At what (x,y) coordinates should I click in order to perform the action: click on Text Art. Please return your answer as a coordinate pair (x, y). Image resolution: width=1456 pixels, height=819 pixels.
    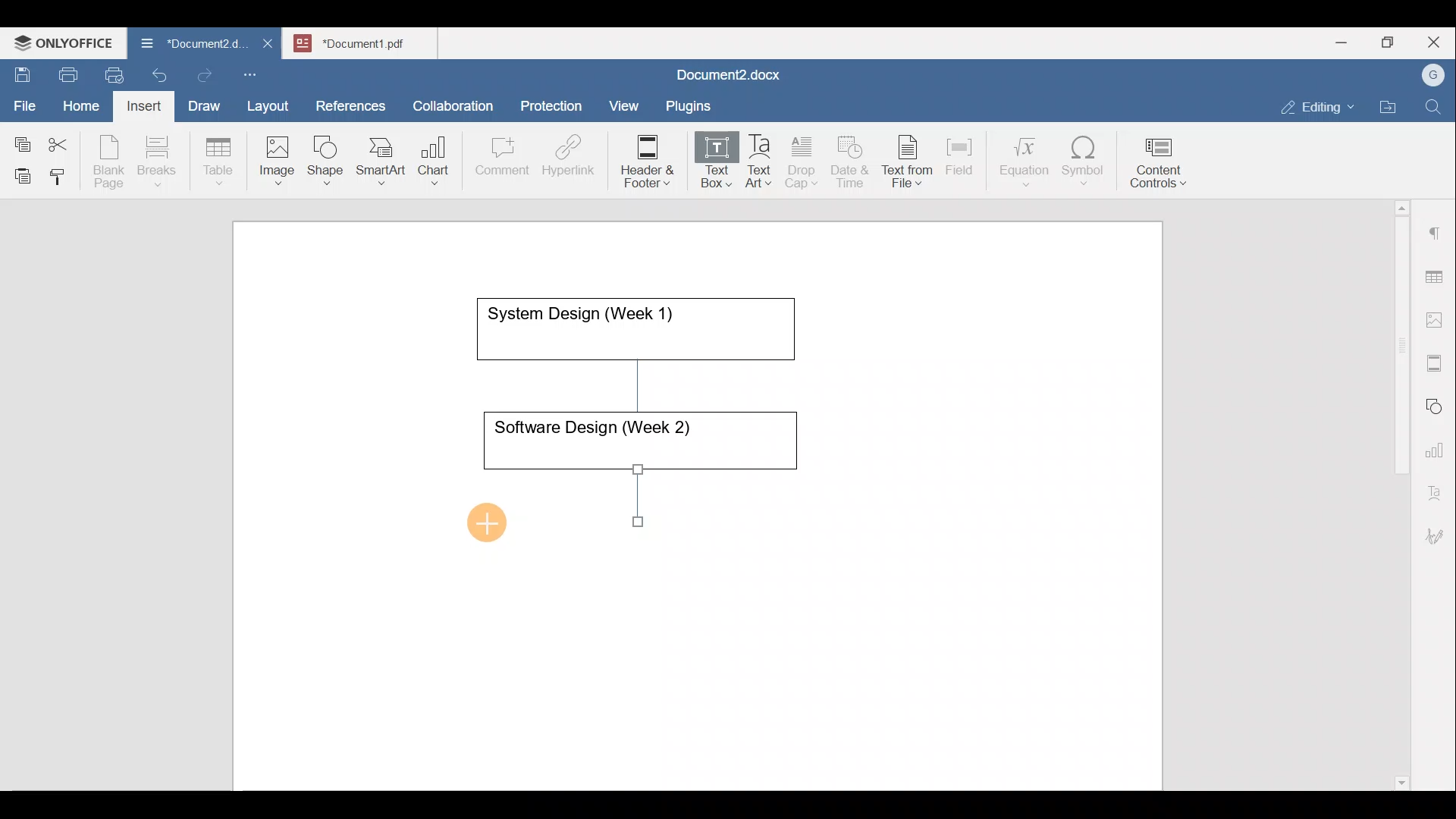
    Looking at the image, I should click on (760, 162).